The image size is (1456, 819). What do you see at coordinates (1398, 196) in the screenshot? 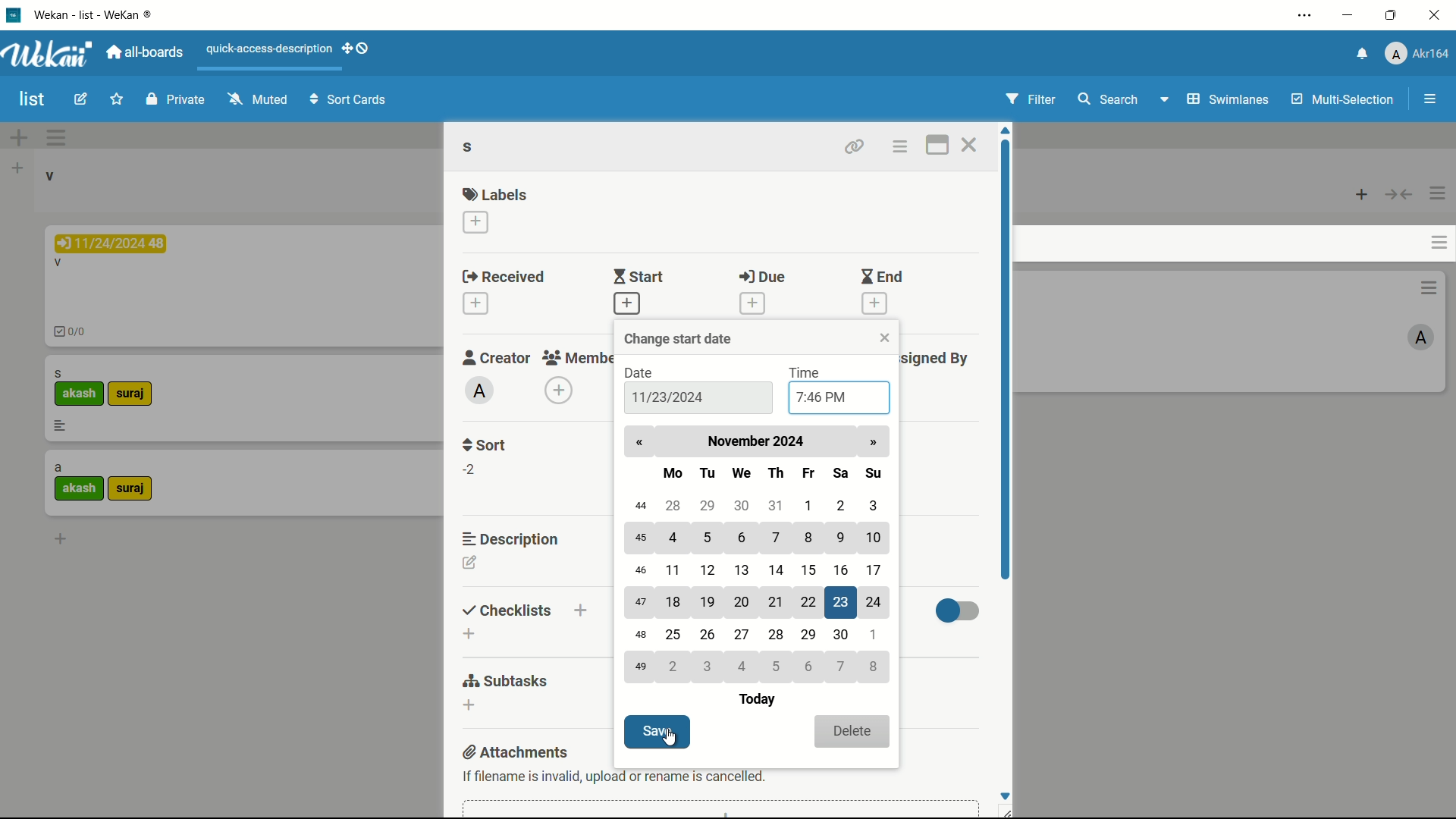
I see `collapse` at bounding box center [1398, 196].